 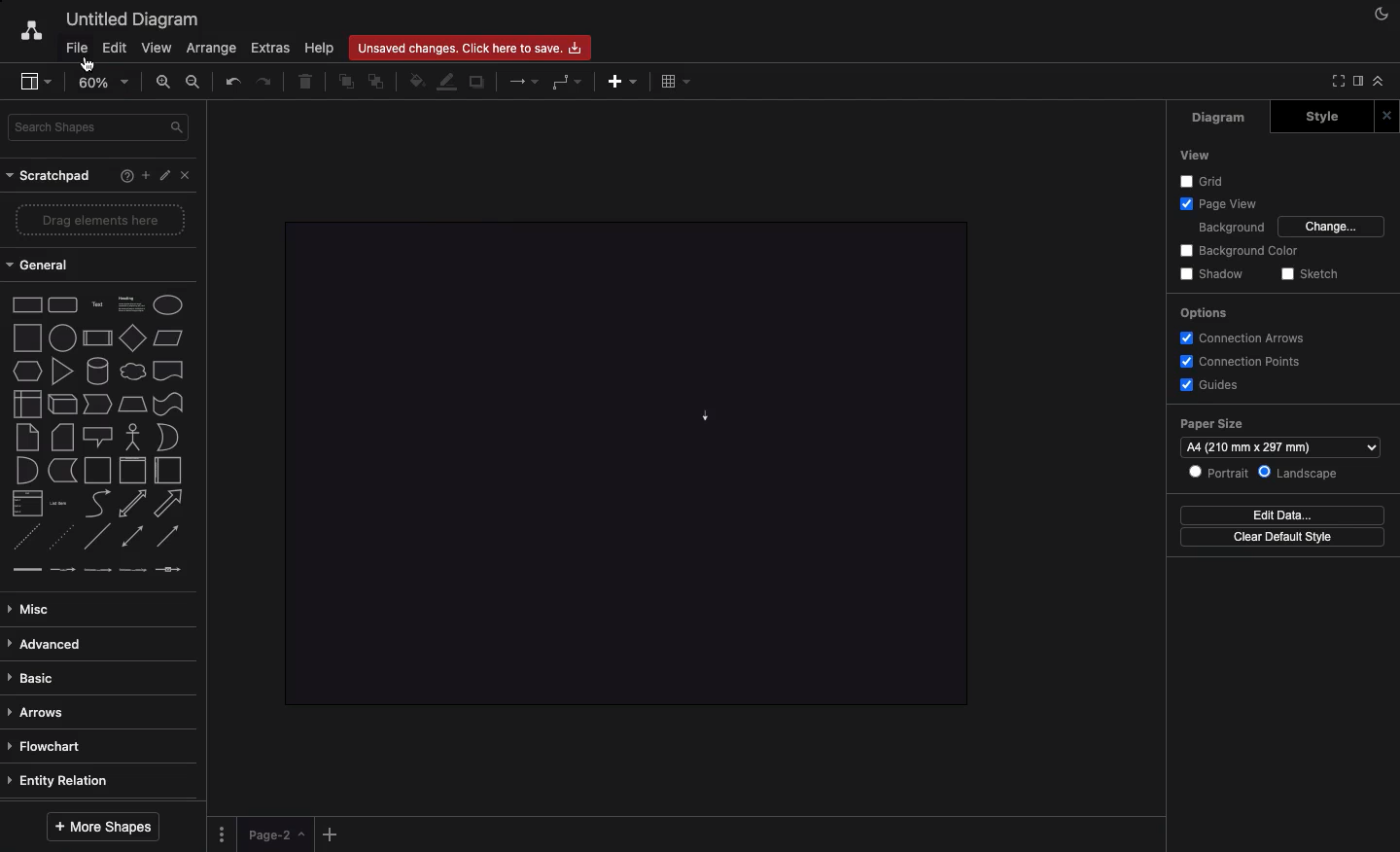 I want to click on Style, so click(x=1321, y=117).